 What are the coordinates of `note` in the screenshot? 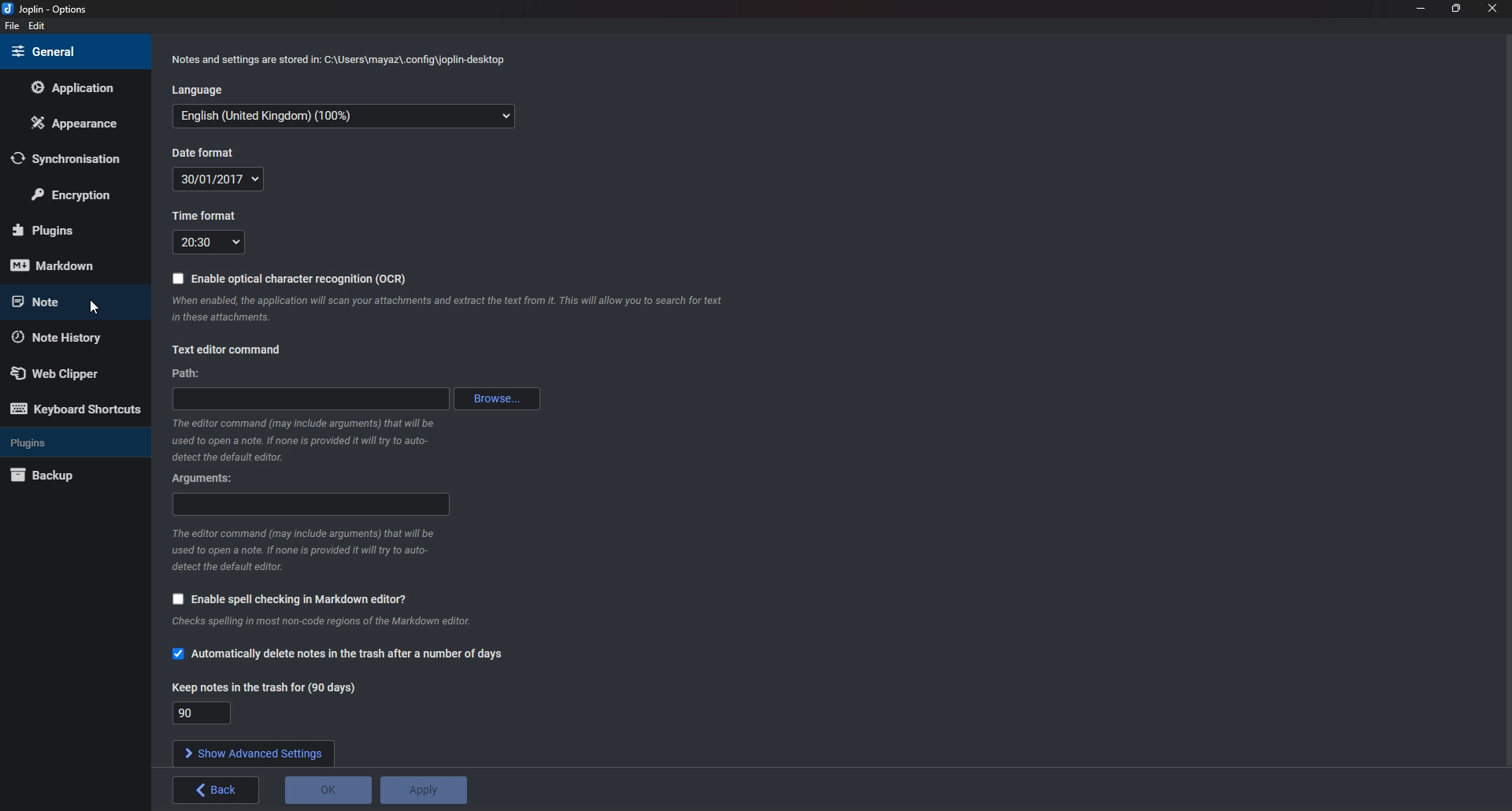 It's located at (67, 302).